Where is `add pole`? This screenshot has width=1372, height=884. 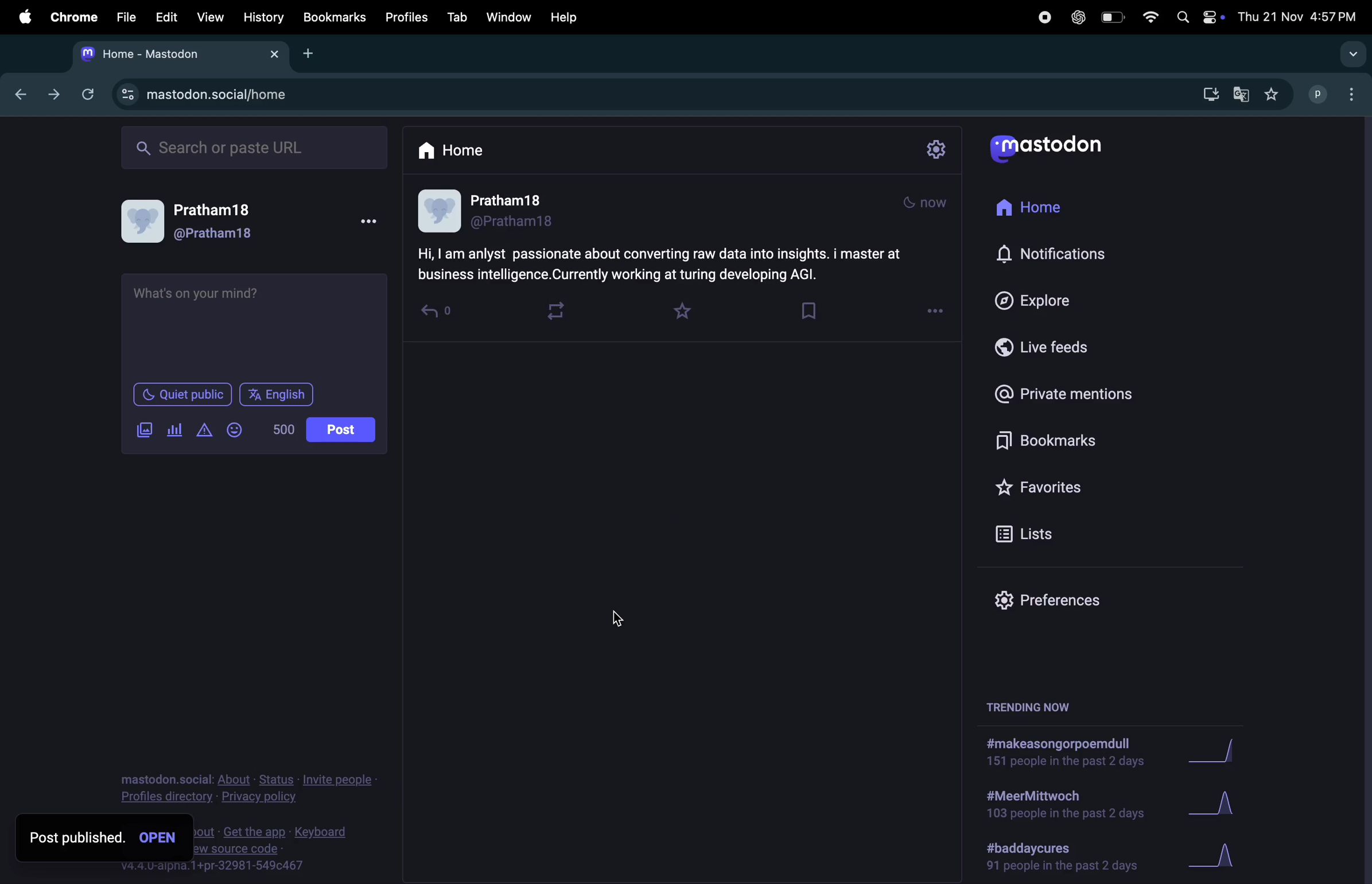
add pole is located at coordinates (174, 432).